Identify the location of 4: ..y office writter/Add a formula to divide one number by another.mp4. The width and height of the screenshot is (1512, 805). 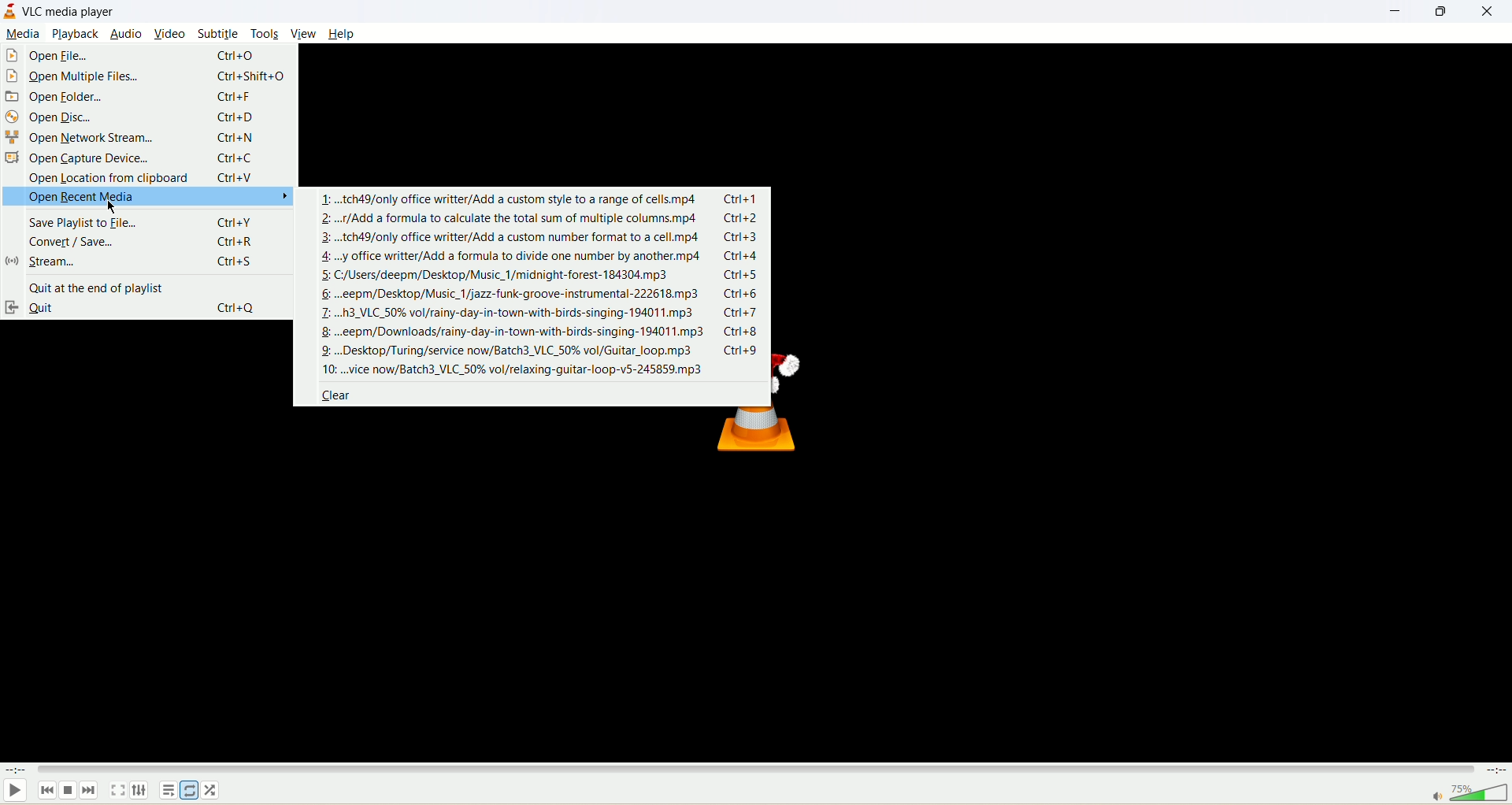
(513, 257).